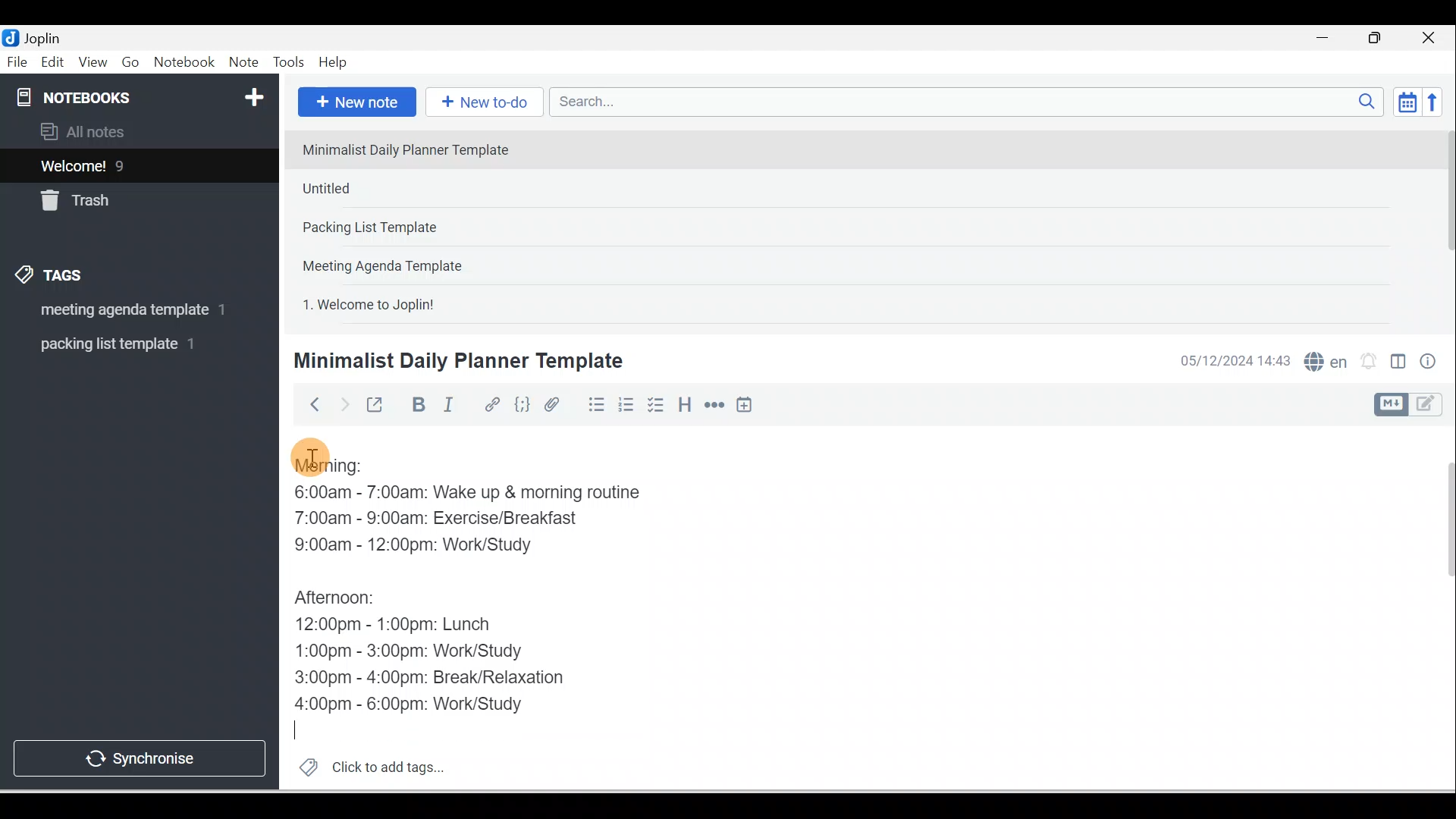 This screenshot has width=1456, height=819. Describe the element at coordinates (366, 765) in the screenshot. I see `Click to add tags` at that location.